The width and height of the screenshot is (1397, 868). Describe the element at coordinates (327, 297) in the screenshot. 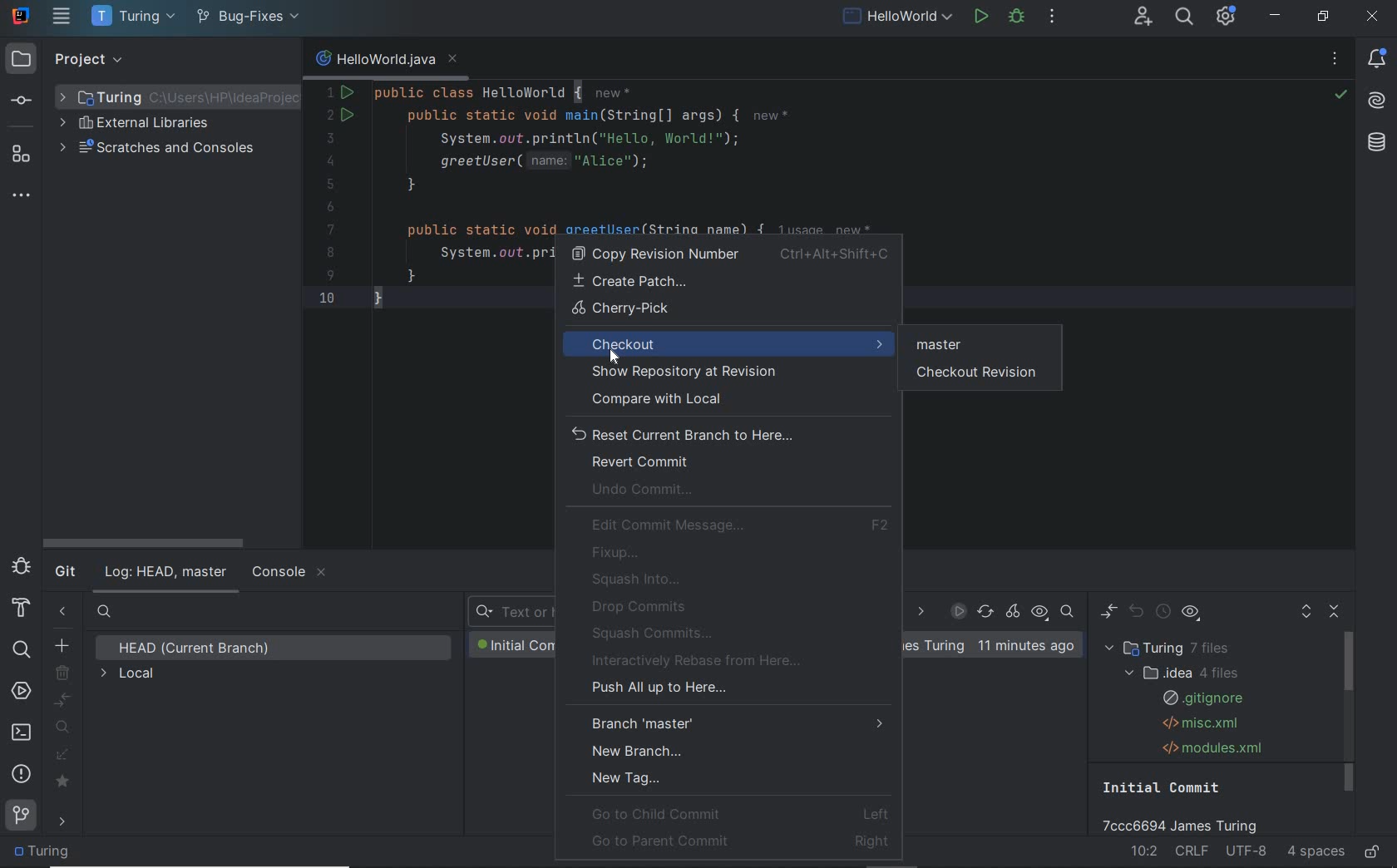

I see `10` at that location.